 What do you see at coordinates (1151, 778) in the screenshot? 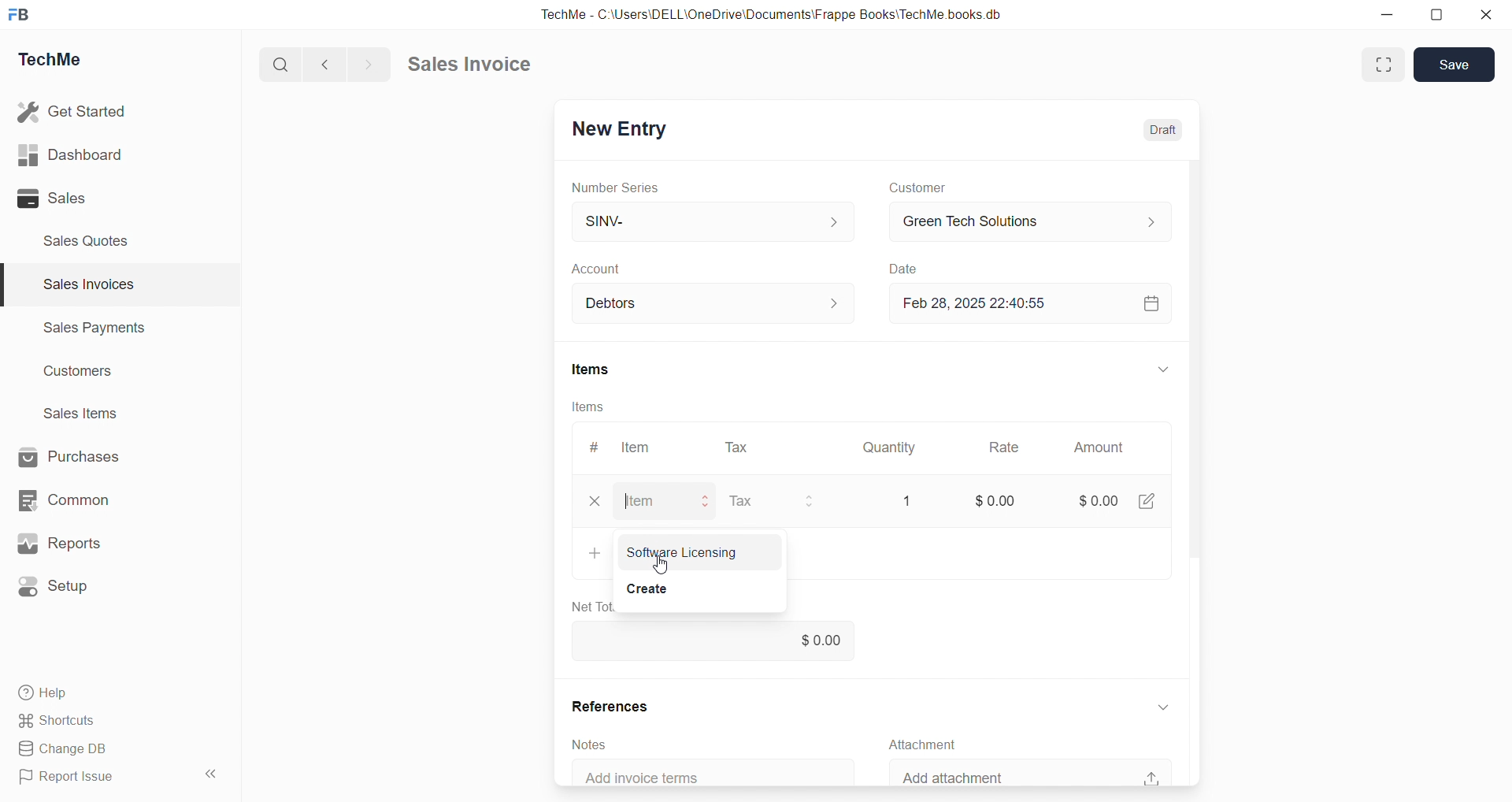
I see `upload` at bounding box center [1151, 778].